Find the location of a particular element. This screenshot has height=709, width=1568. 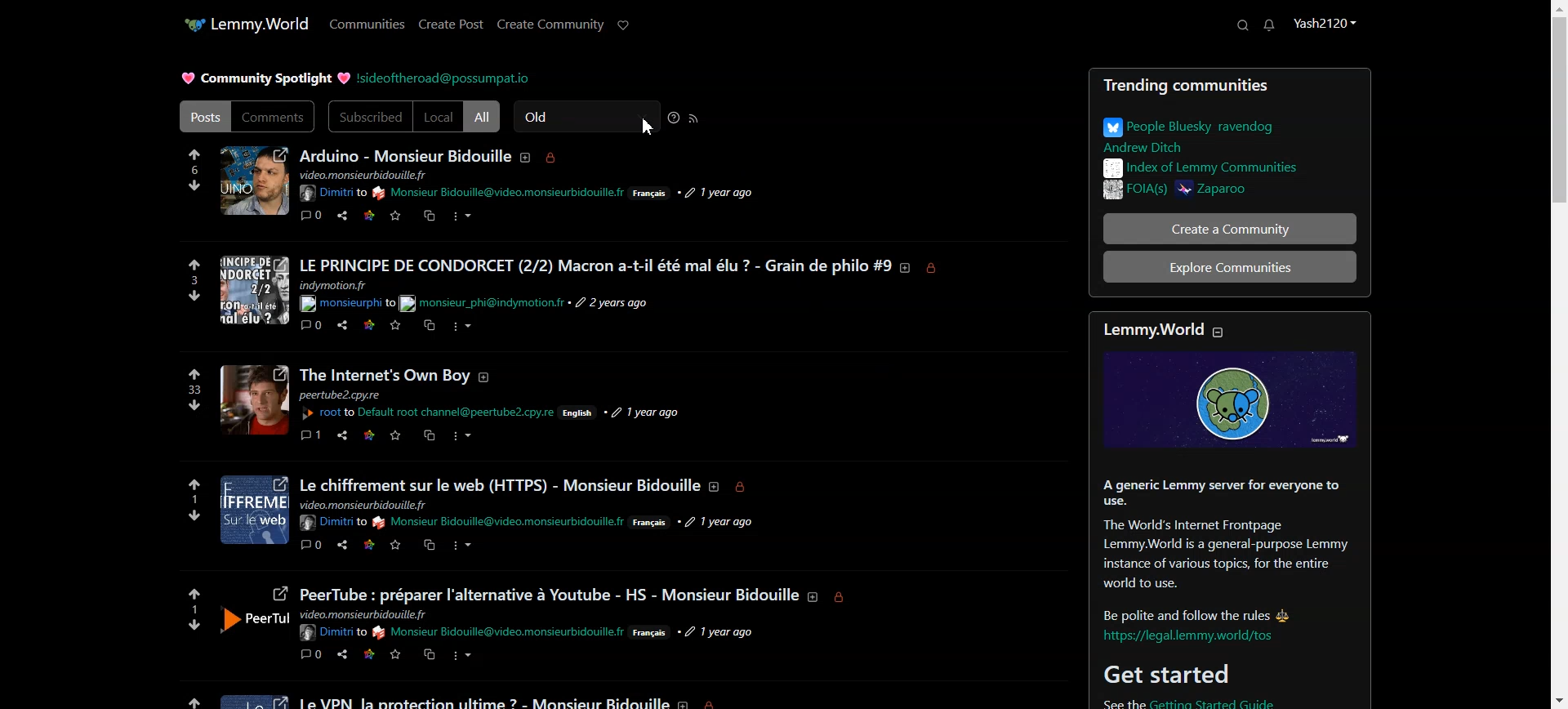

About is located at coordinates (1143, 328).